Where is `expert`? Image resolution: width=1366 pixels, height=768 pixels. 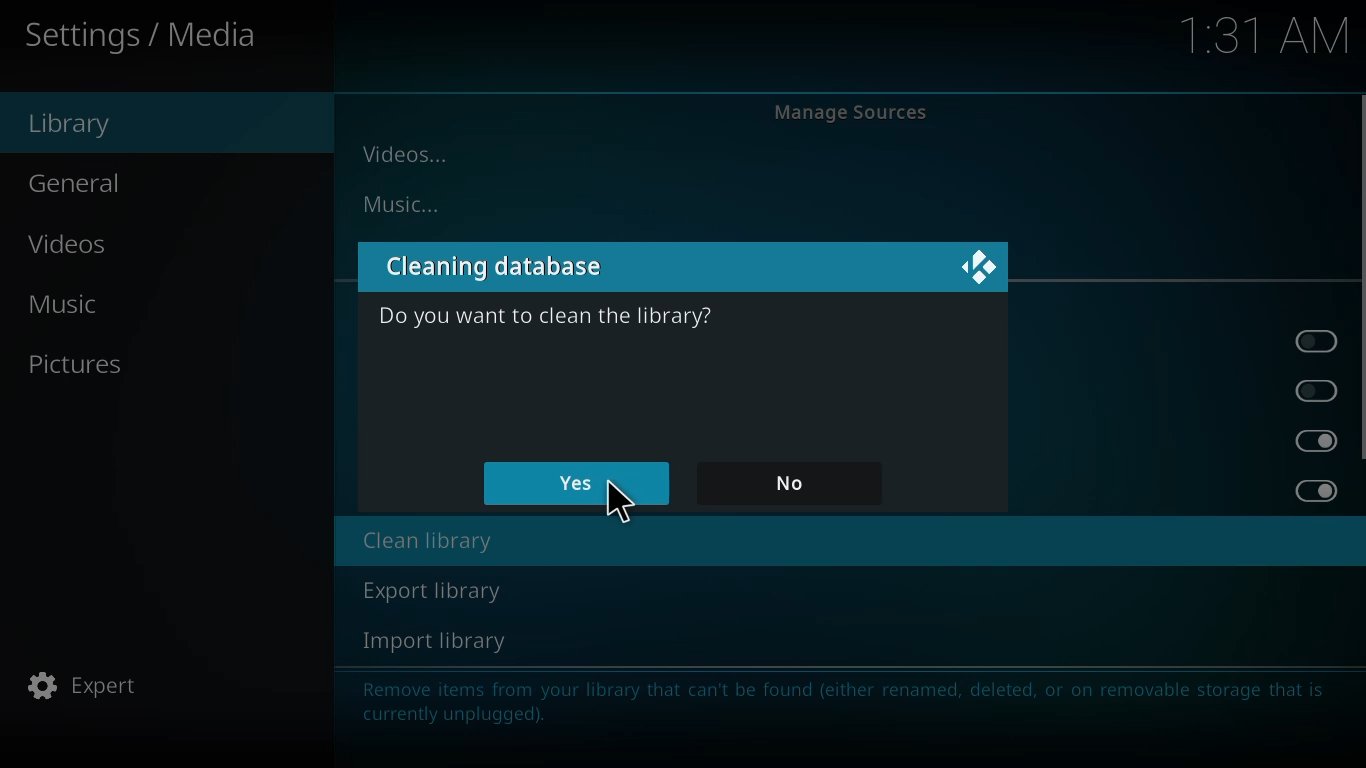 expert is located at coordinates (91, 685).